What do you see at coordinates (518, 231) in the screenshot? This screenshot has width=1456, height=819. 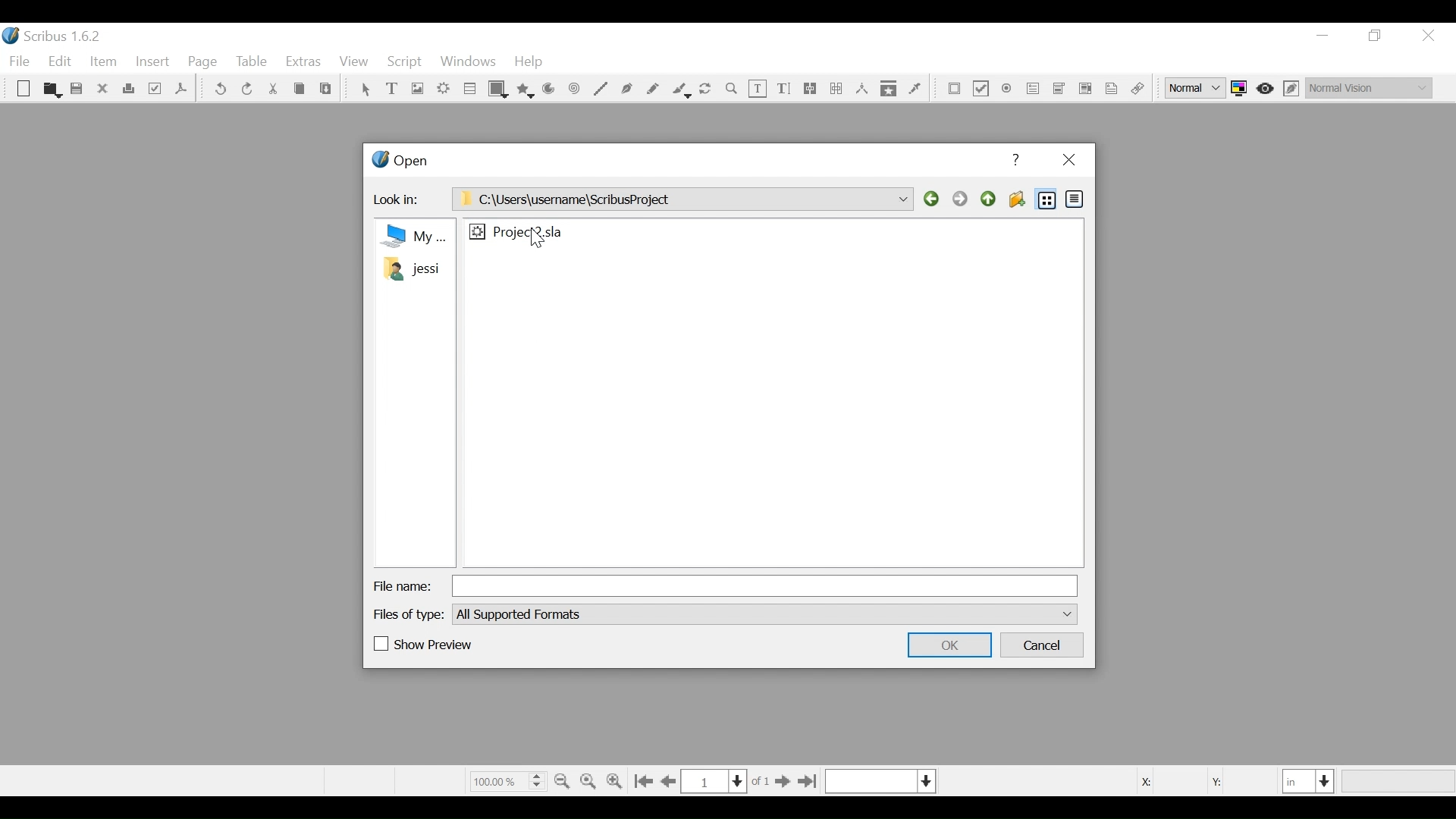 I see `File` at bounding box center [518, 231].